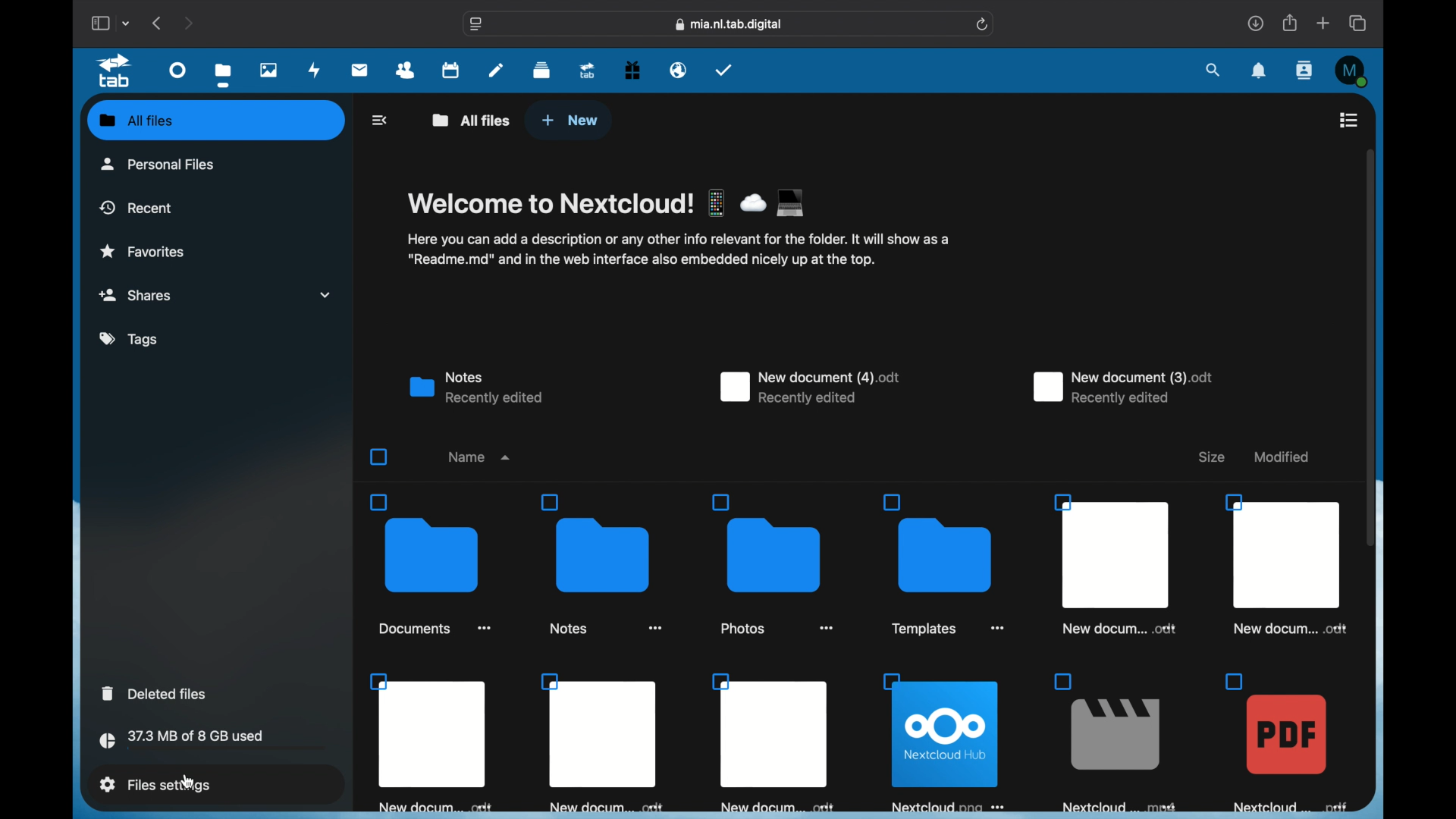 The height and width of the screenshot is (819, 1456). I want to click on new tab, so click(1323, 23).